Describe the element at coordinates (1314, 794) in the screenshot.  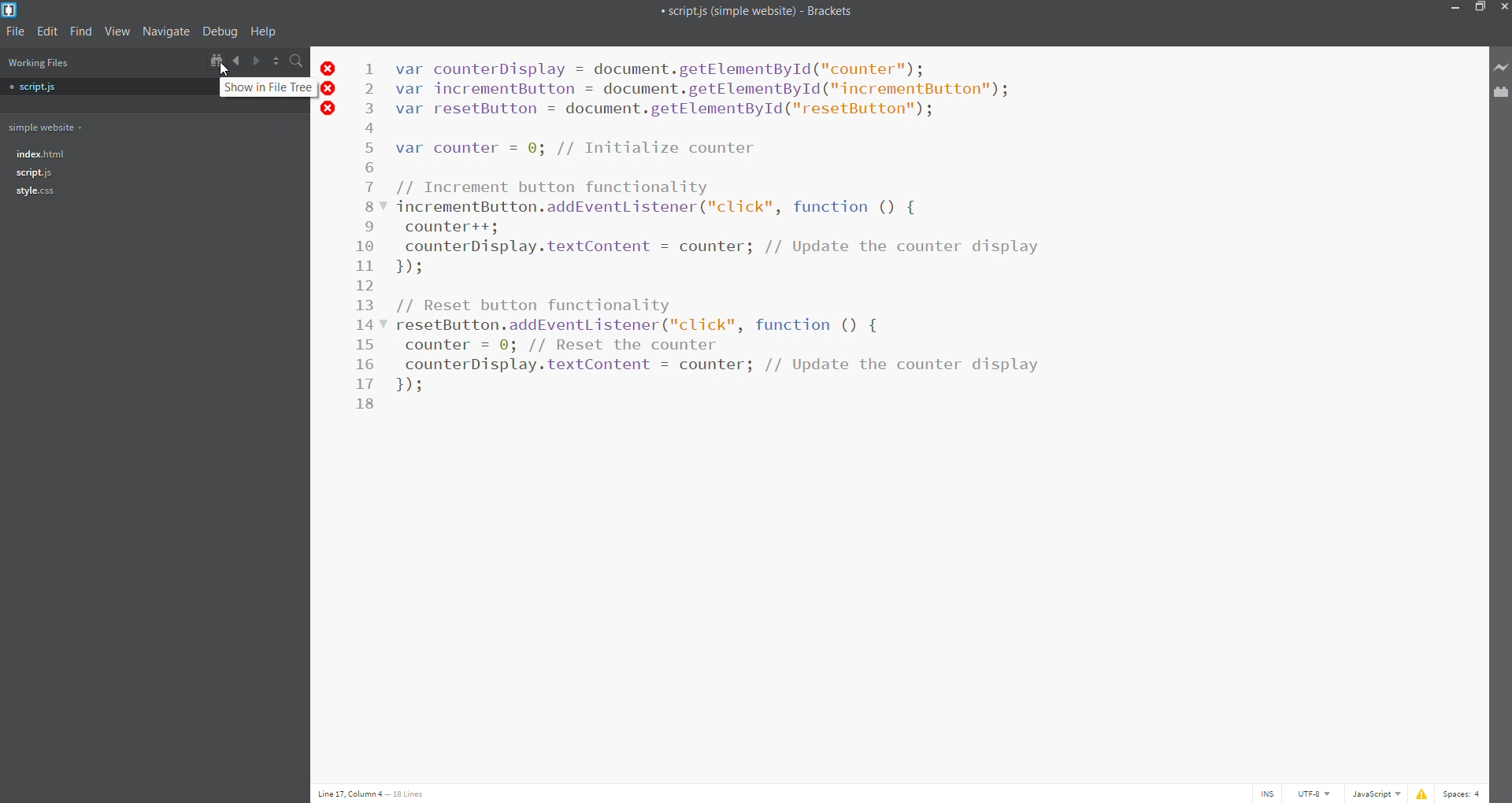
I see `UTF-8` at that location.